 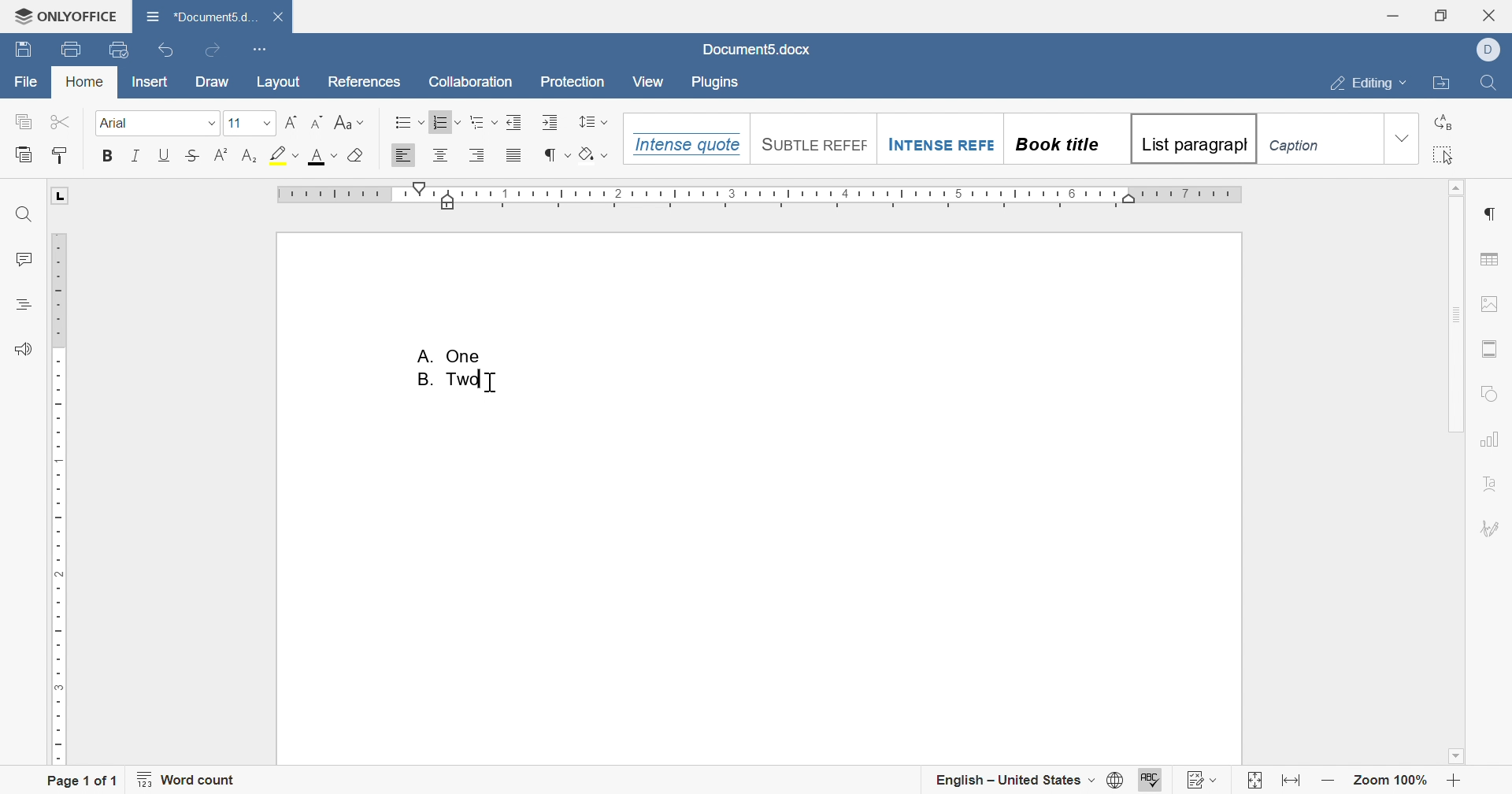 I want to click on customize quick access toolbar, so click(x=263, y=50).